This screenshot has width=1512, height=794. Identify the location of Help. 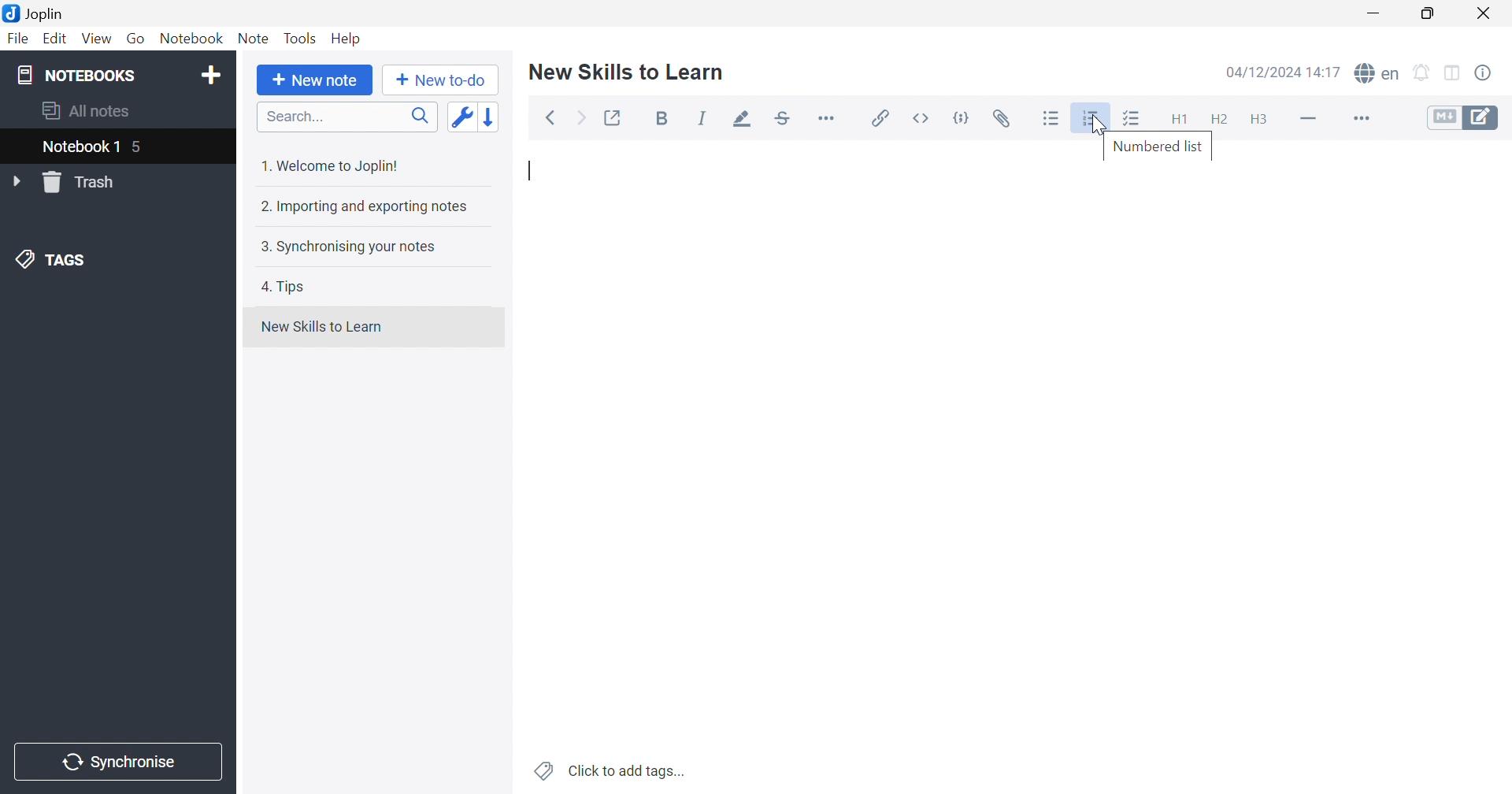
(347, 39).